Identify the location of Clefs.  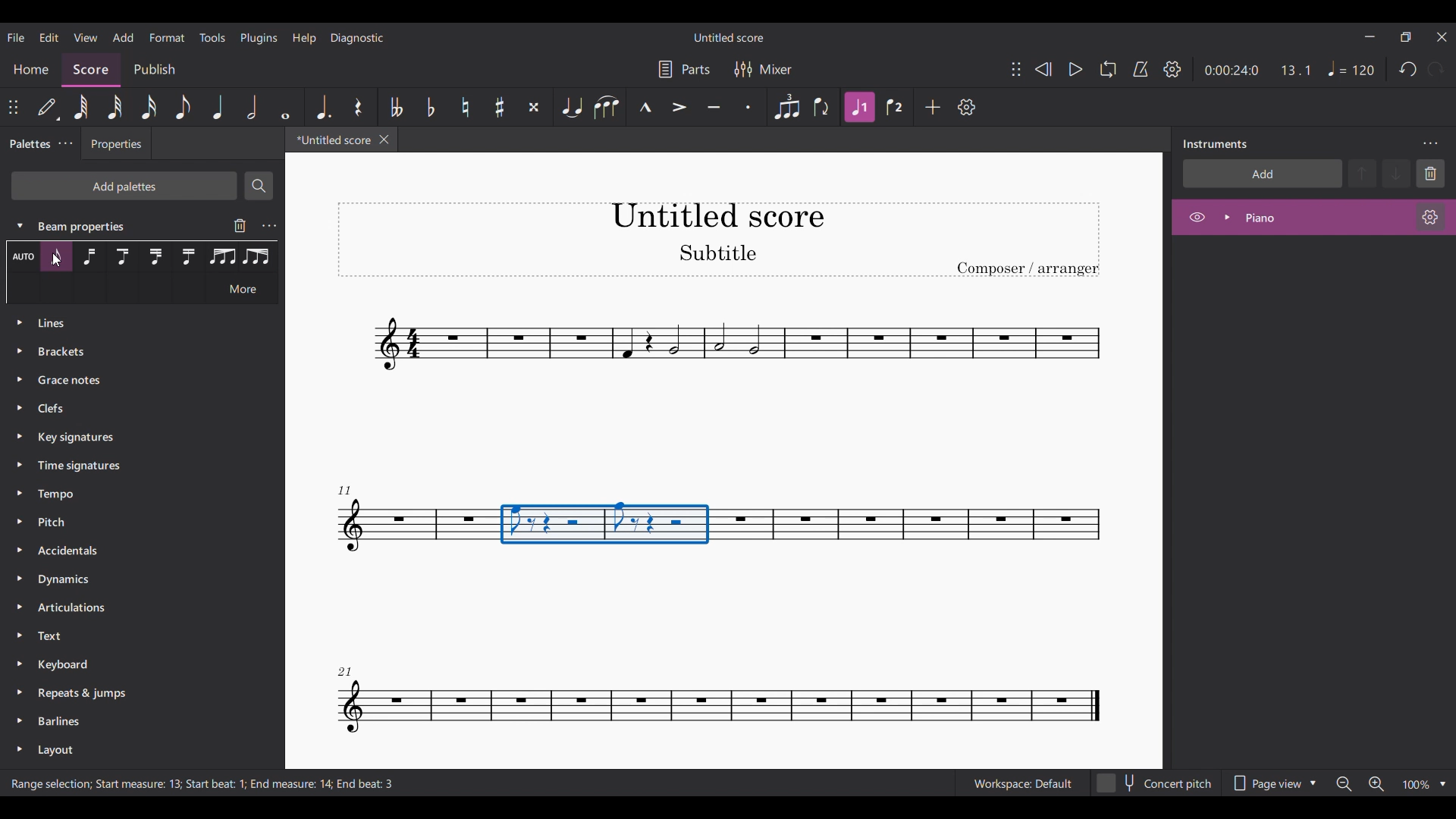
(132, 409).